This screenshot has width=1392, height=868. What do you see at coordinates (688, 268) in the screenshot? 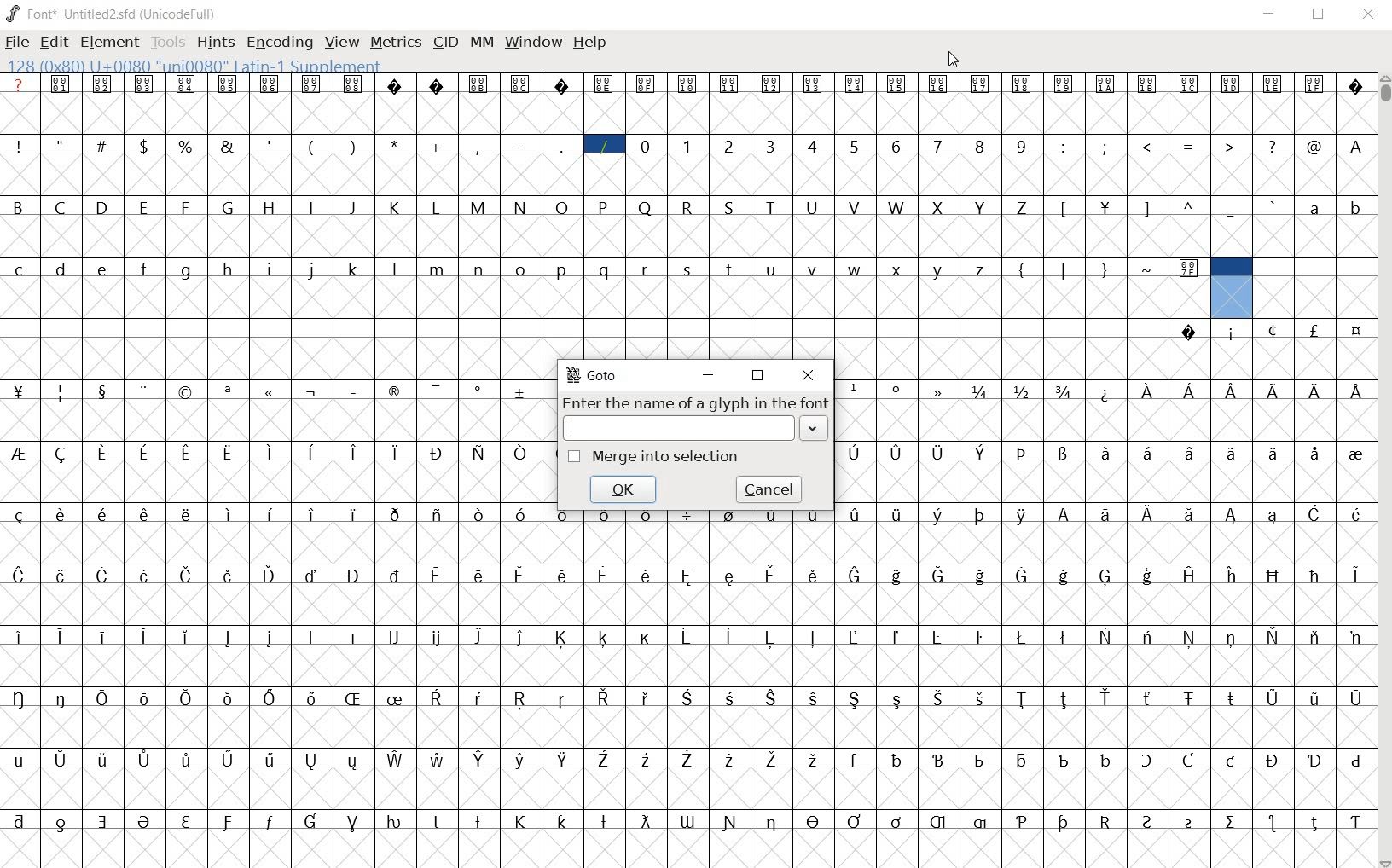
I see `s` at bounding box center [688, 268].